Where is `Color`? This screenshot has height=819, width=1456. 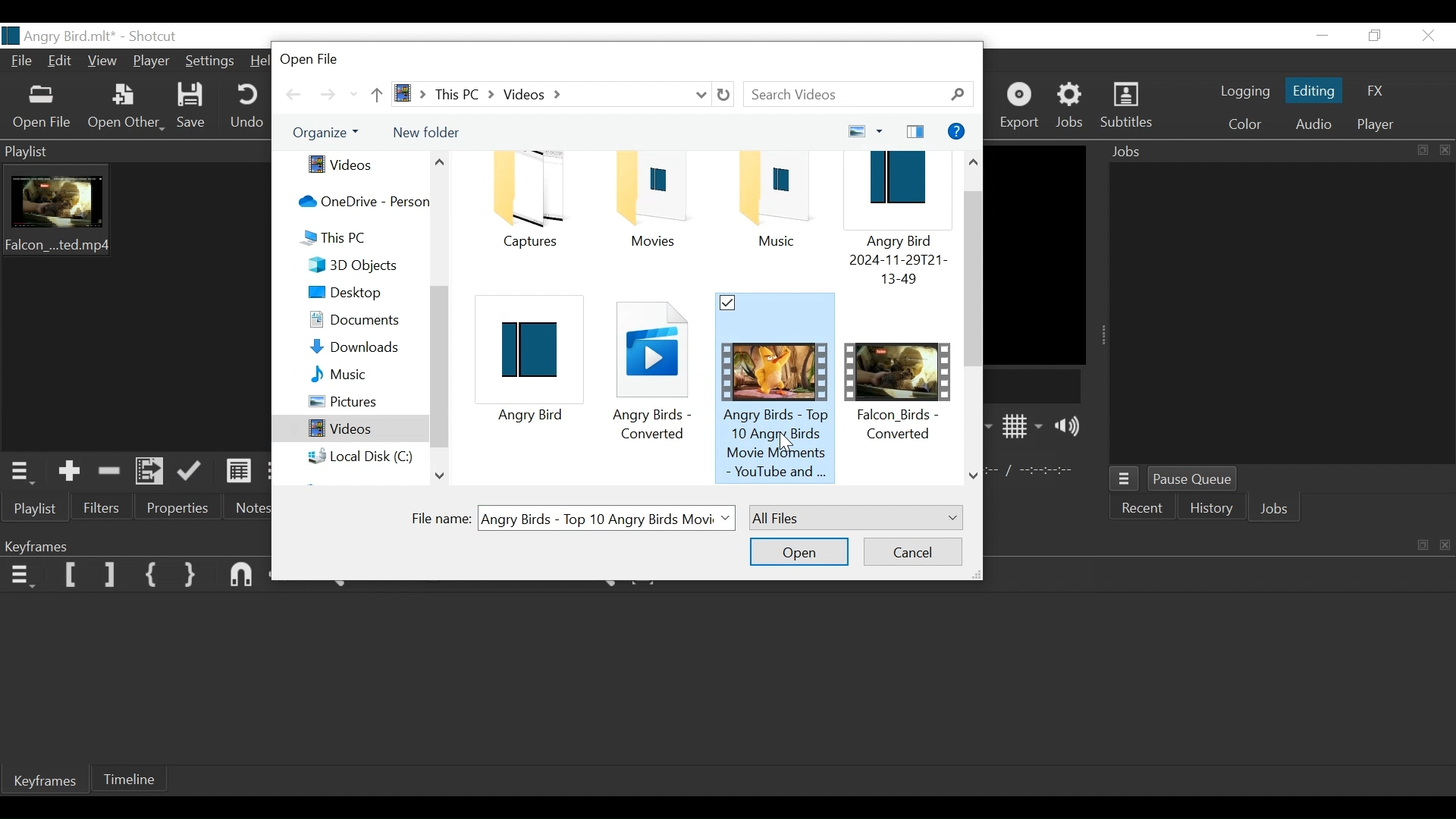 Color is located at coordinates (1246, 124).